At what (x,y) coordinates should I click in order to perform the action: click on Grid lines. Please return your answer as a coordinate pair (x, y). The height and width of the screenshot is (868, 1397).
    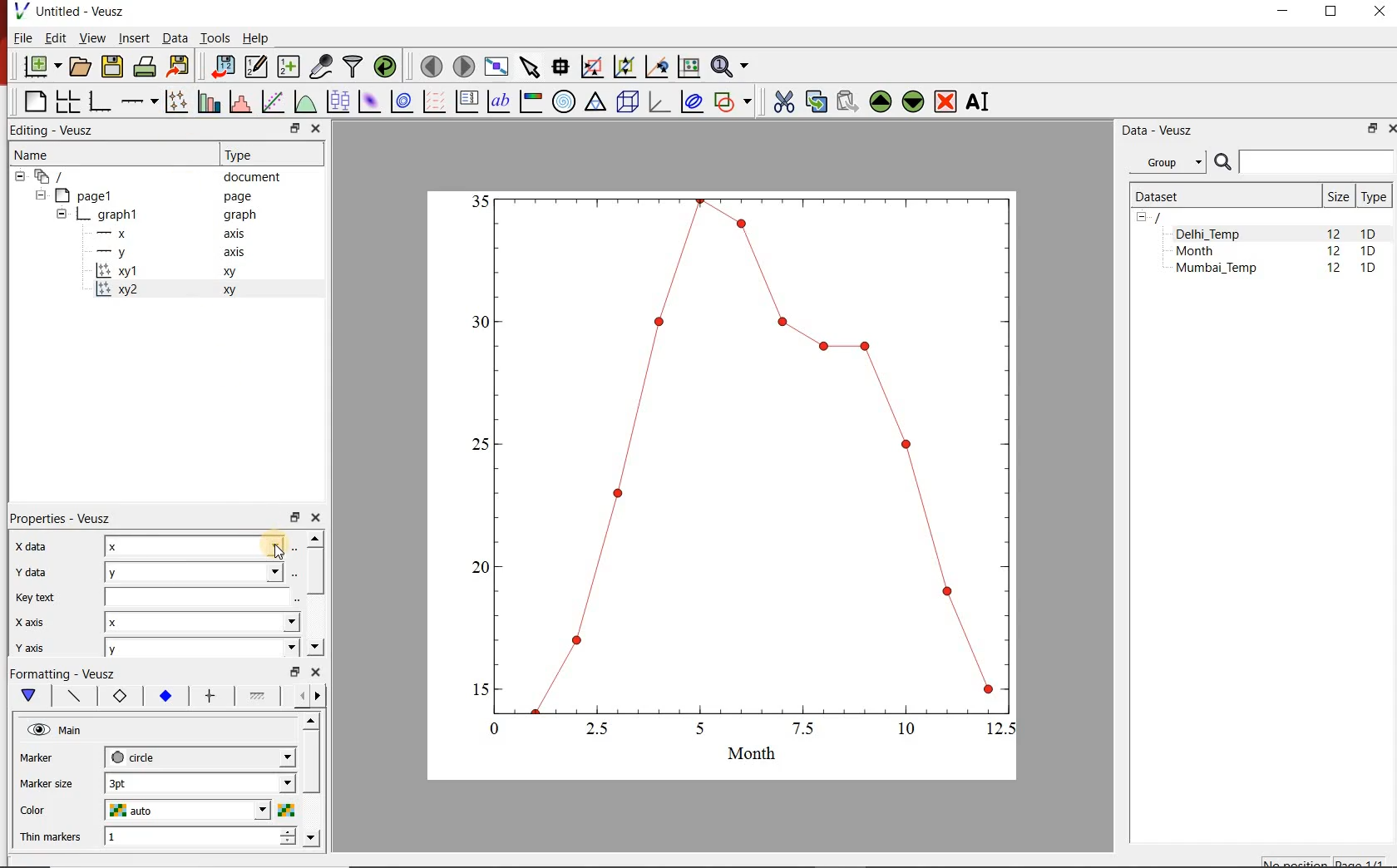
    Looking at the image, I should click on (310, 698).